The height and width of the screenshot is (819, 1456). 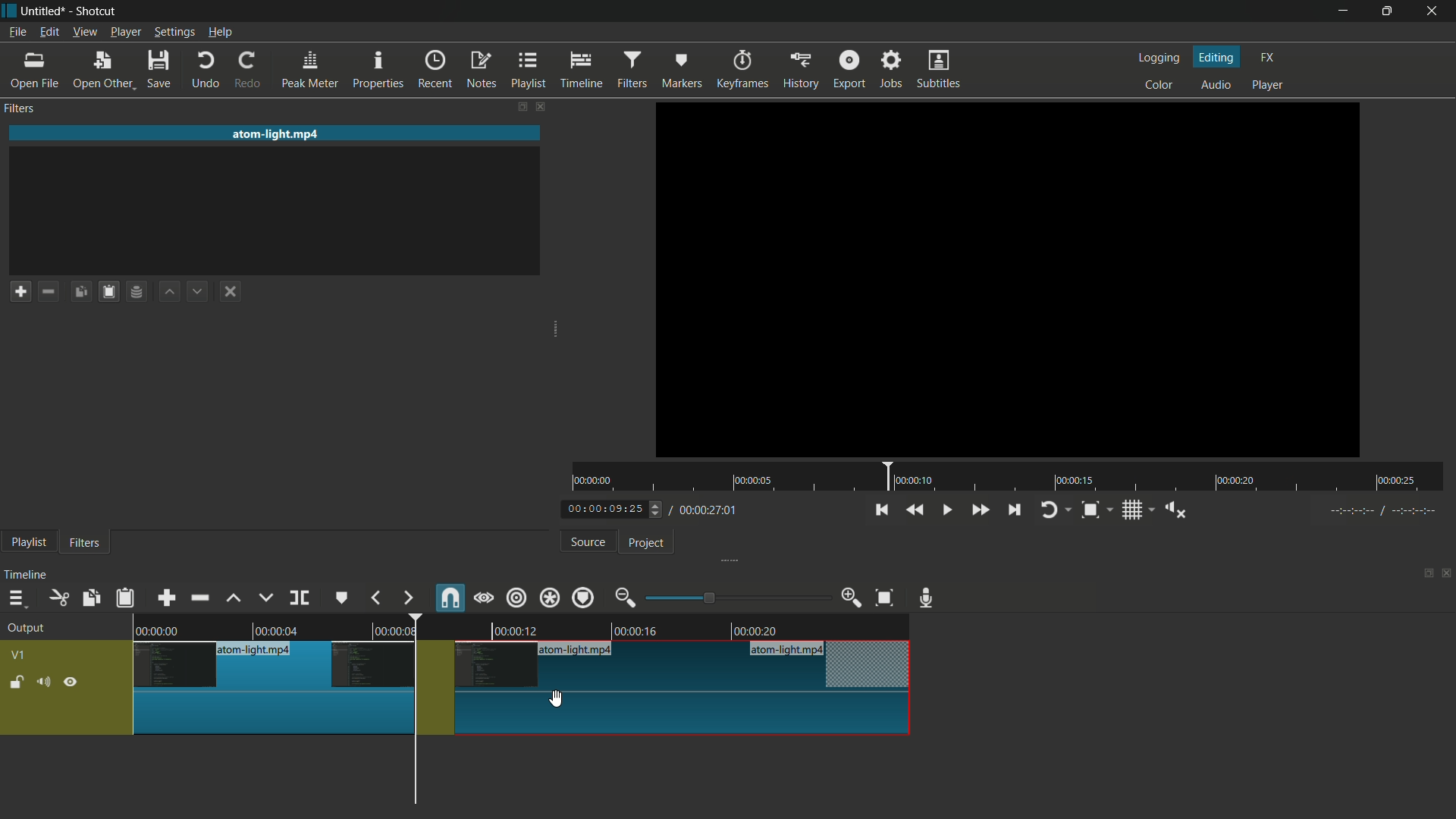 I want to click on , so click(x=1007, y=281).